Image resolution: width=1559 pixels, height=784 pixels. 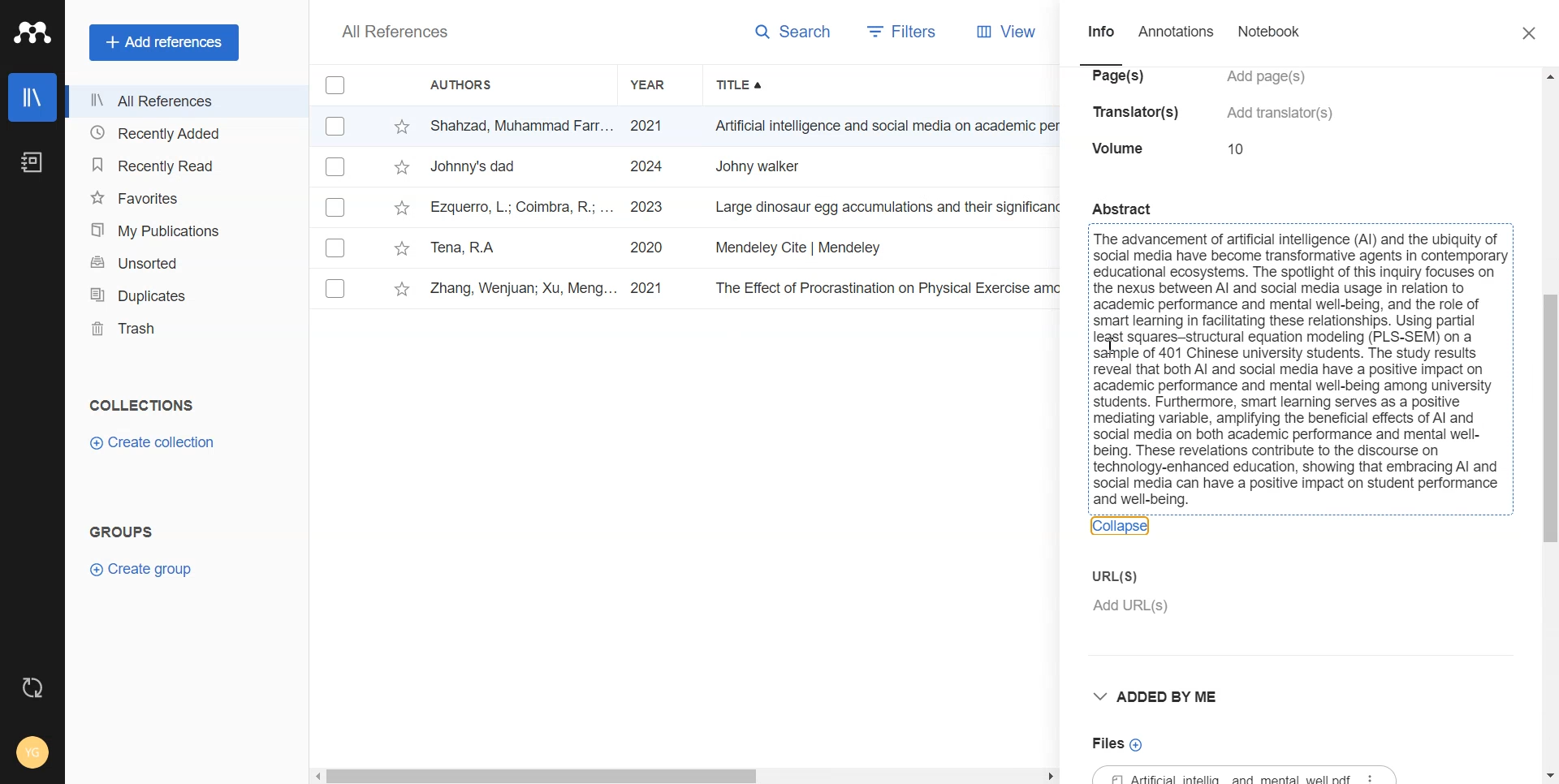 What do you see at coordinates (792, 32) in the screenshot?
I see `Search` at bounding box center [792, 32].